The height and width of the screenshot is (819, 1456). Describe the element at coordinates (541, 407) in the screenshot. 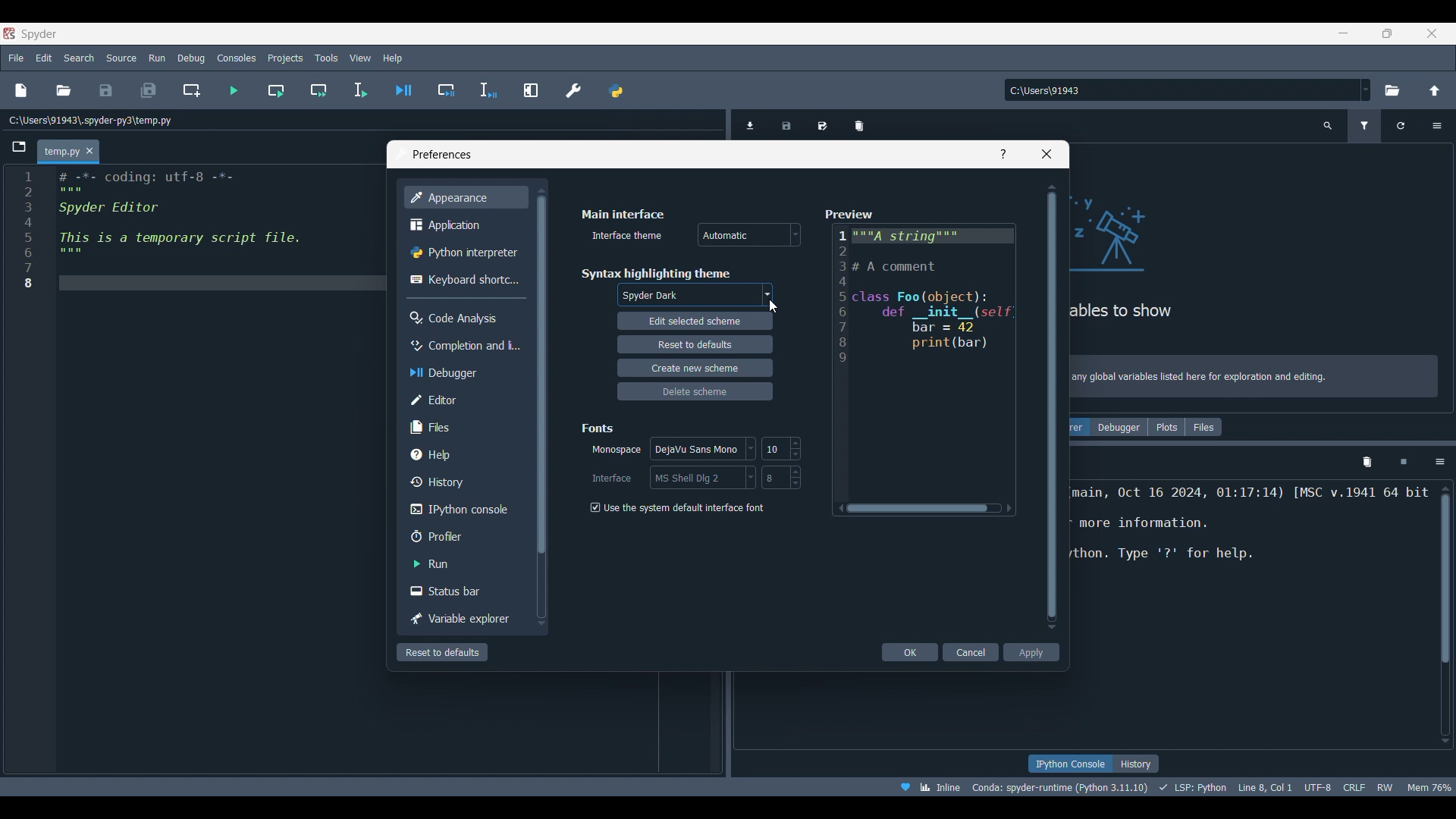

I see `Vertical slide bar` at that location.